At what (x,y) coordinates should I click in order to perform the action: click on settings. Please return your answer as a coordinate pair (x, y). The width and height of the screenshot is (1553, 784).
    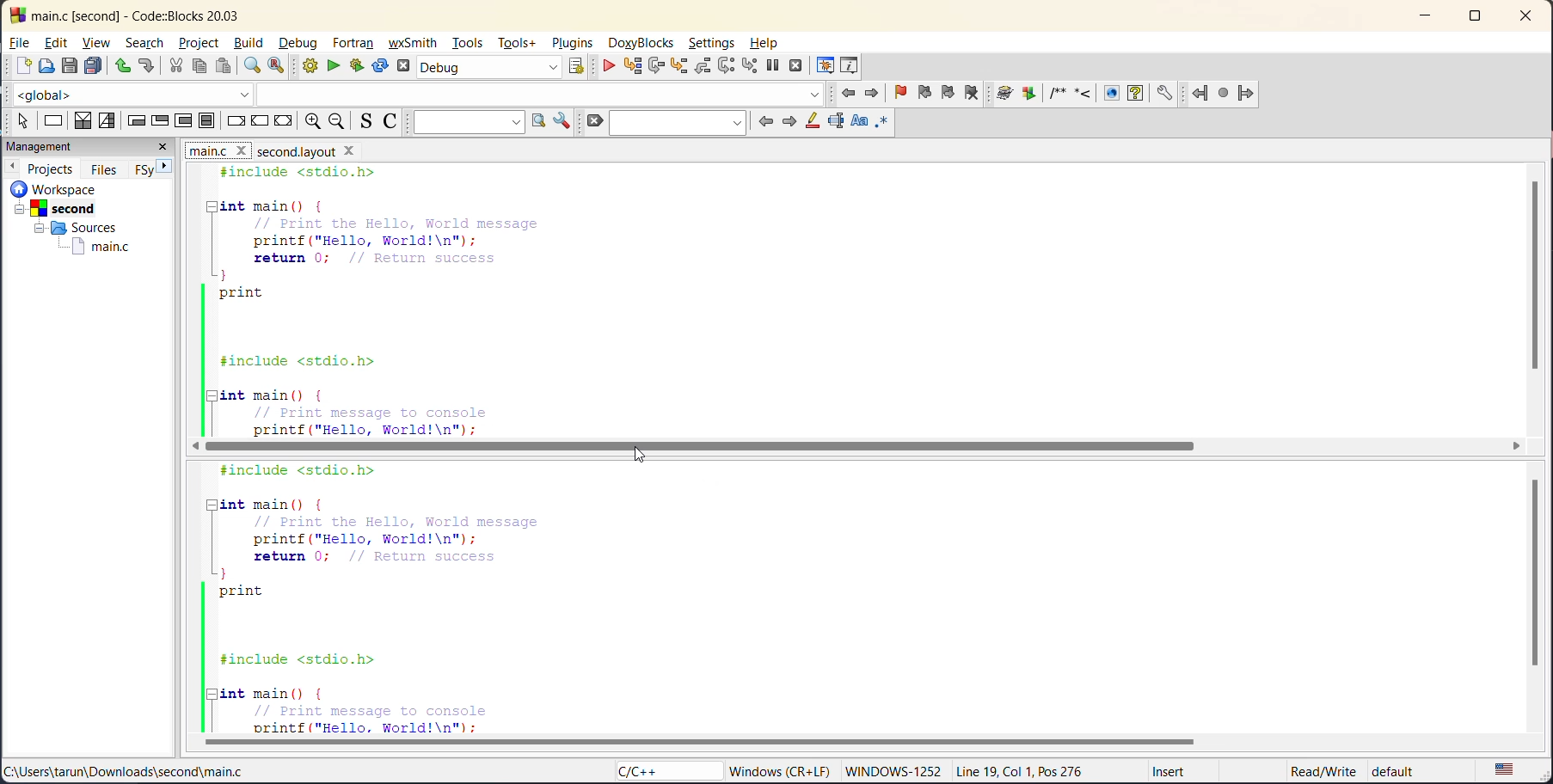
    Looking at the image, I should click on (712, 44).